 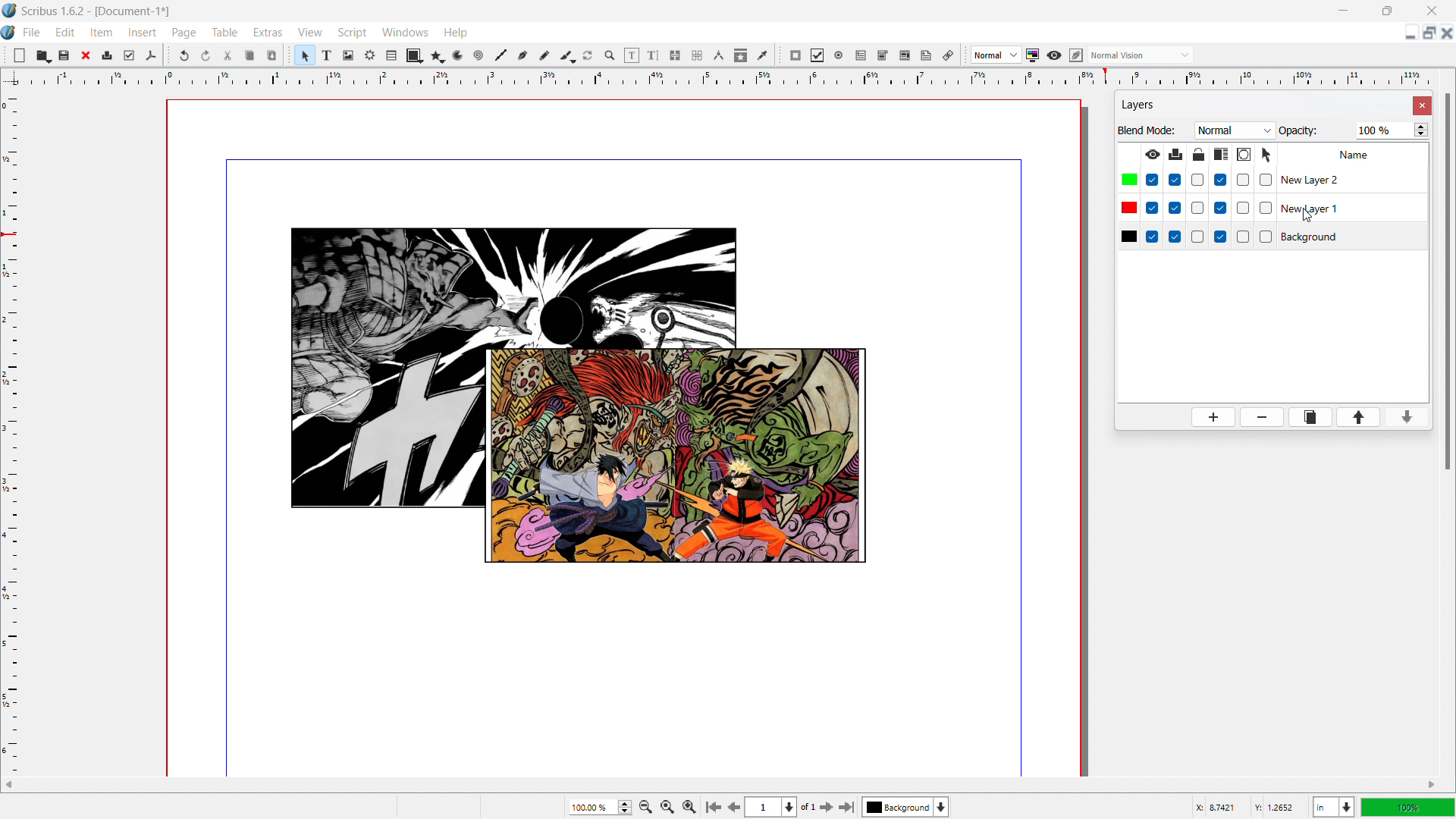 What do you see at coordinates (772, 807) in the screenshot?
I see `select current page` at bounding box center [772, 807].